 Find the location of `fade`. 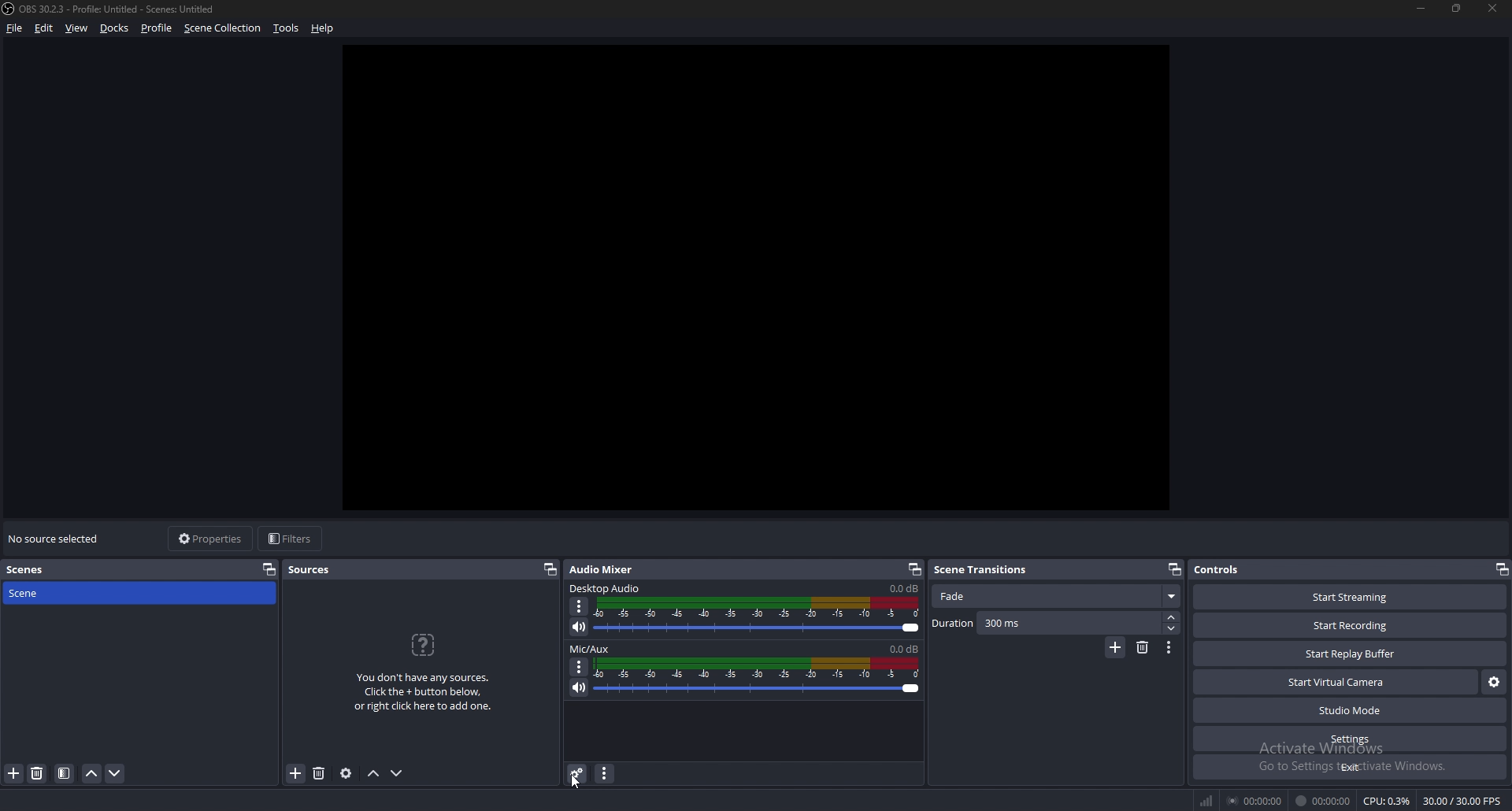

fade is located at coordinates (1057, 596).